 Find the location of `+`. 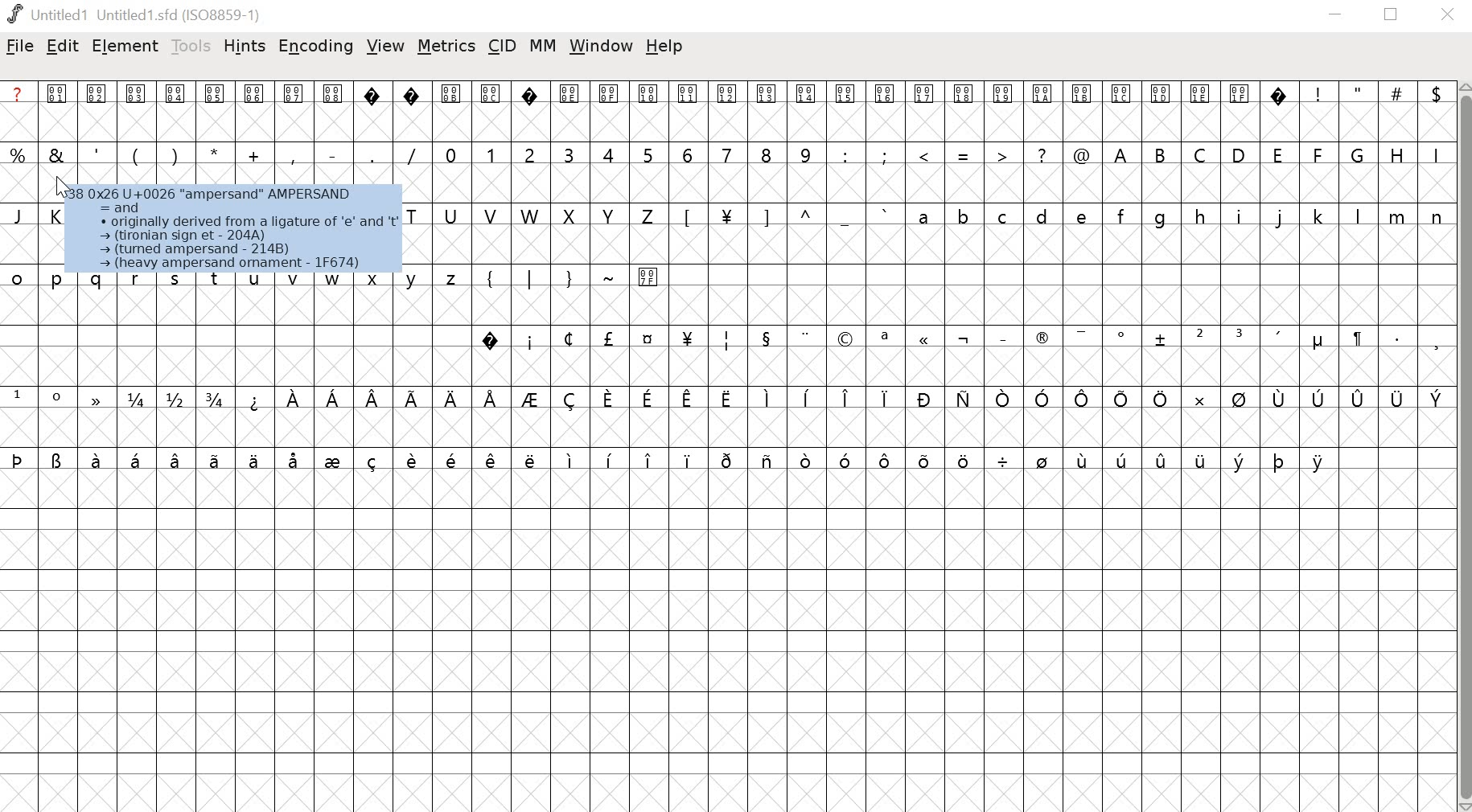

+ is located at coordinates (256, 154).